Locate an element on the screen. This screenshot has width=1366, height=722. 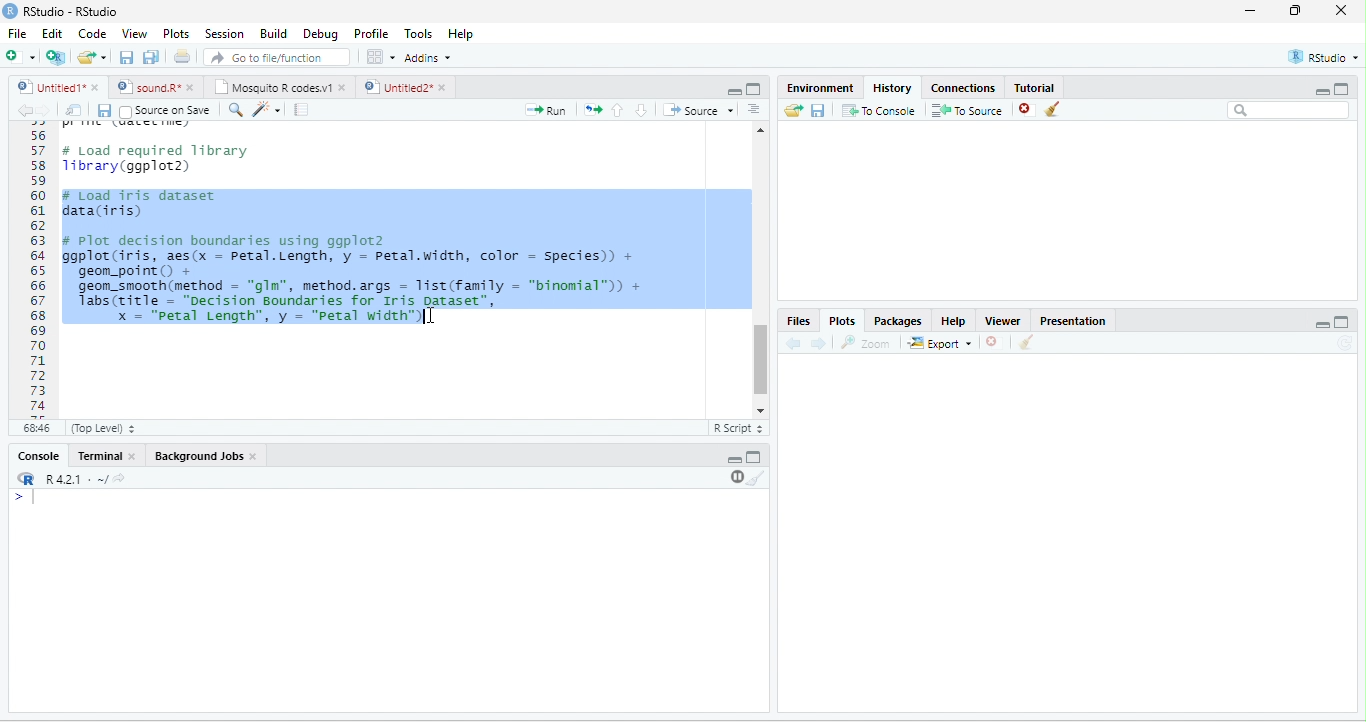
Presentation is located at coordinates (1074, 321).